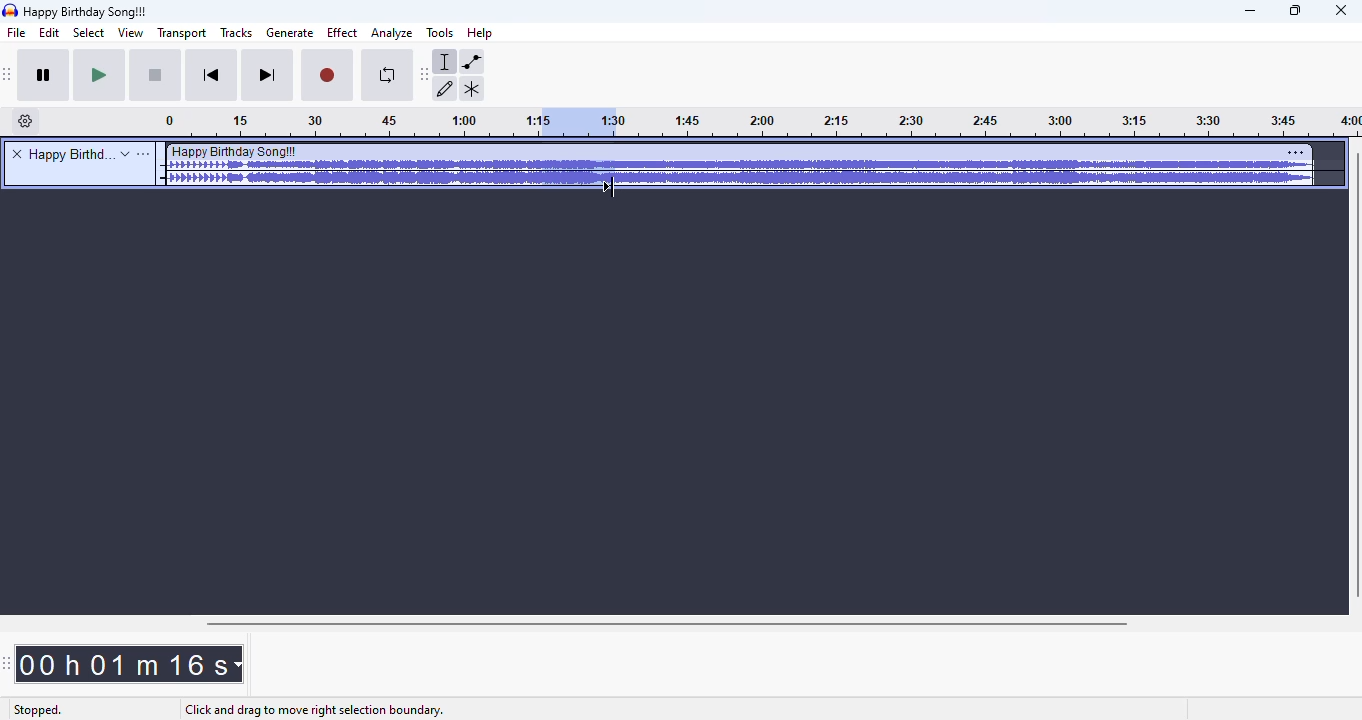 The width and height of the screenshot is (1362, 720). Describe the element at coordinates (17, 153) in the screenshot. I see `delete track` at that location.